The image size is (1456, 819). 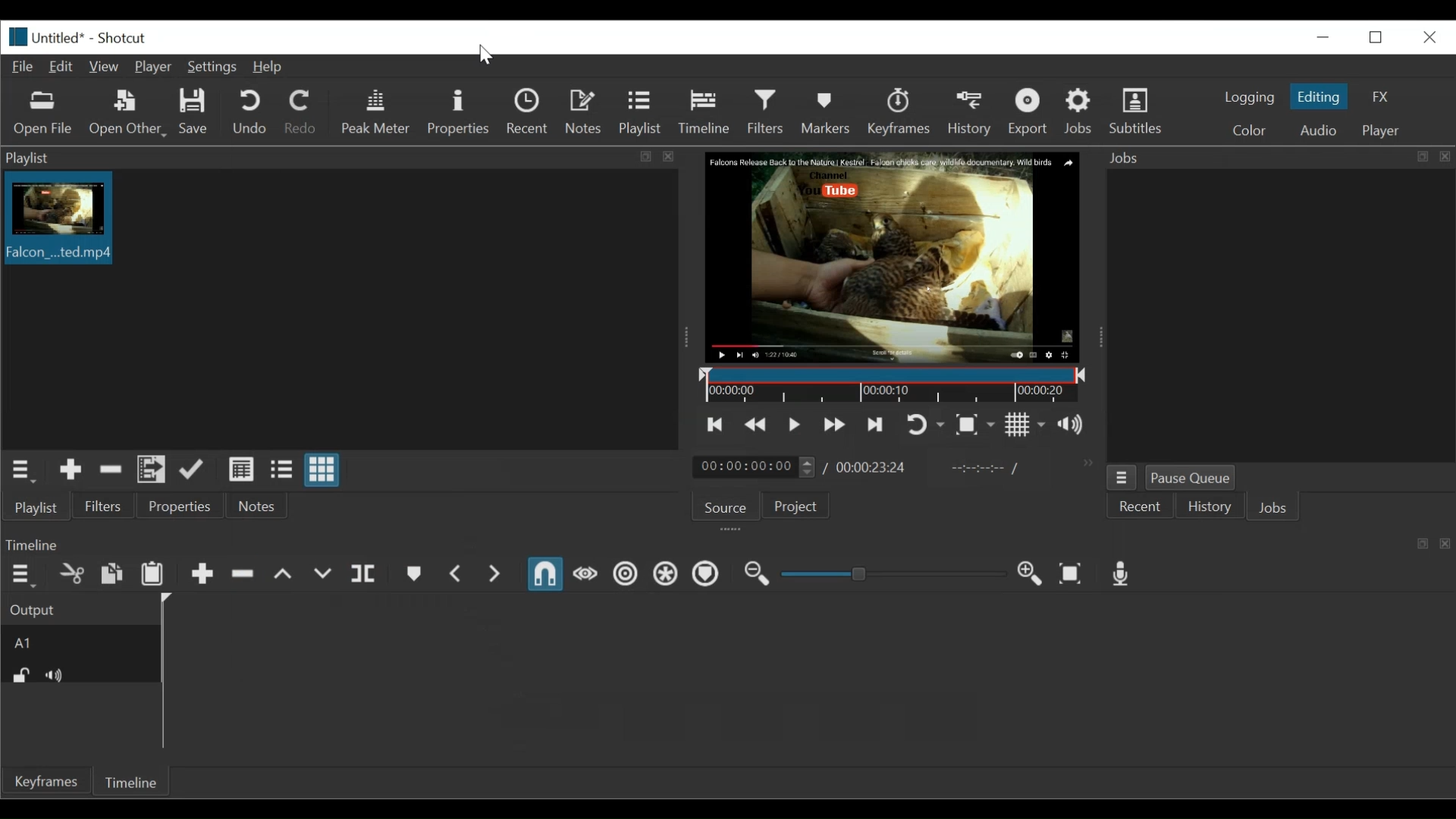 I want to click on Media Viewer, so click(x=893, y=256).